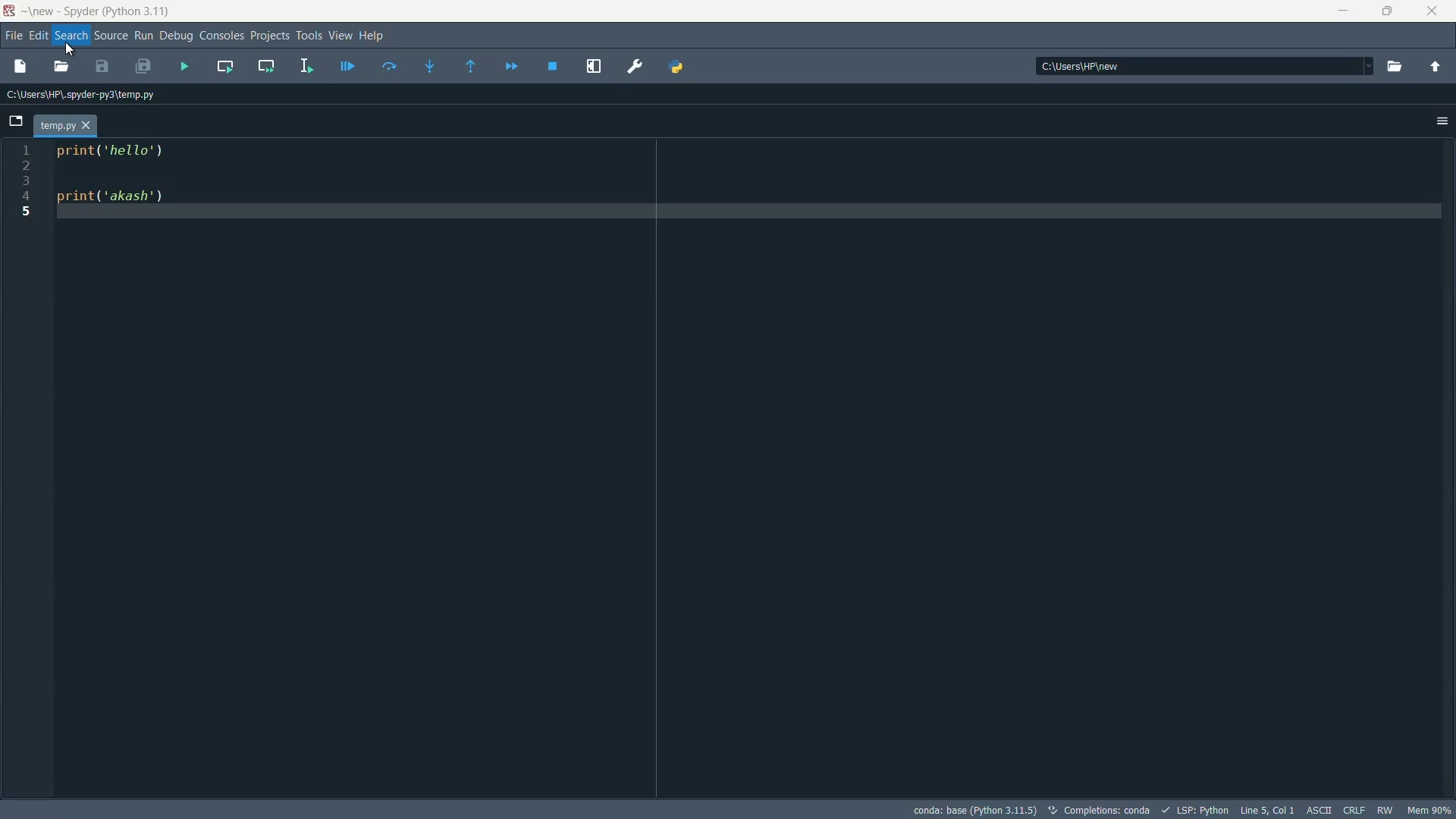 This screenshot has height=819, width=1456. I want to click on new, so click(43, 12).